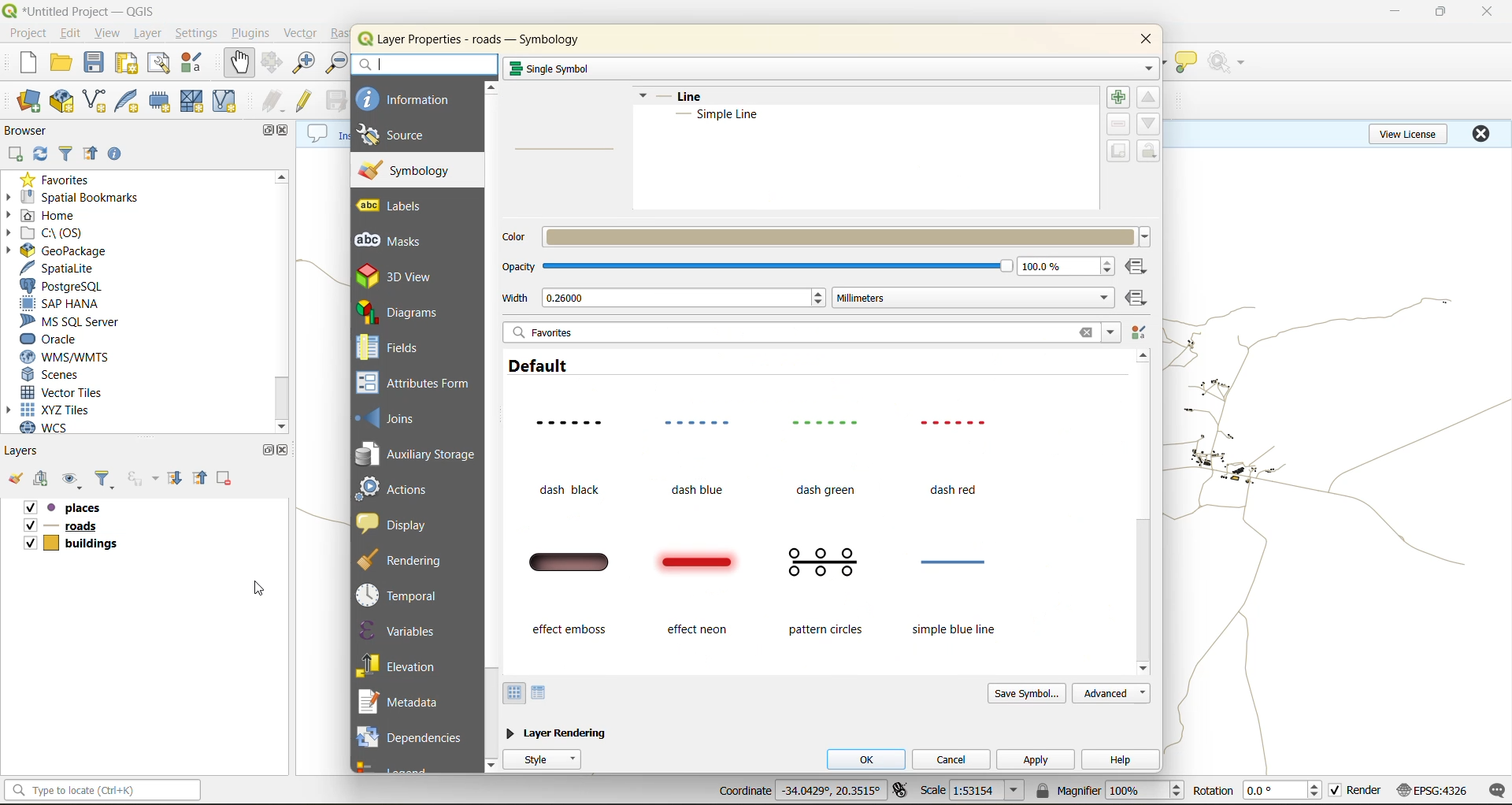 This screenshot has width=1512, height=805. I want to click on roads, so click(67, 525).